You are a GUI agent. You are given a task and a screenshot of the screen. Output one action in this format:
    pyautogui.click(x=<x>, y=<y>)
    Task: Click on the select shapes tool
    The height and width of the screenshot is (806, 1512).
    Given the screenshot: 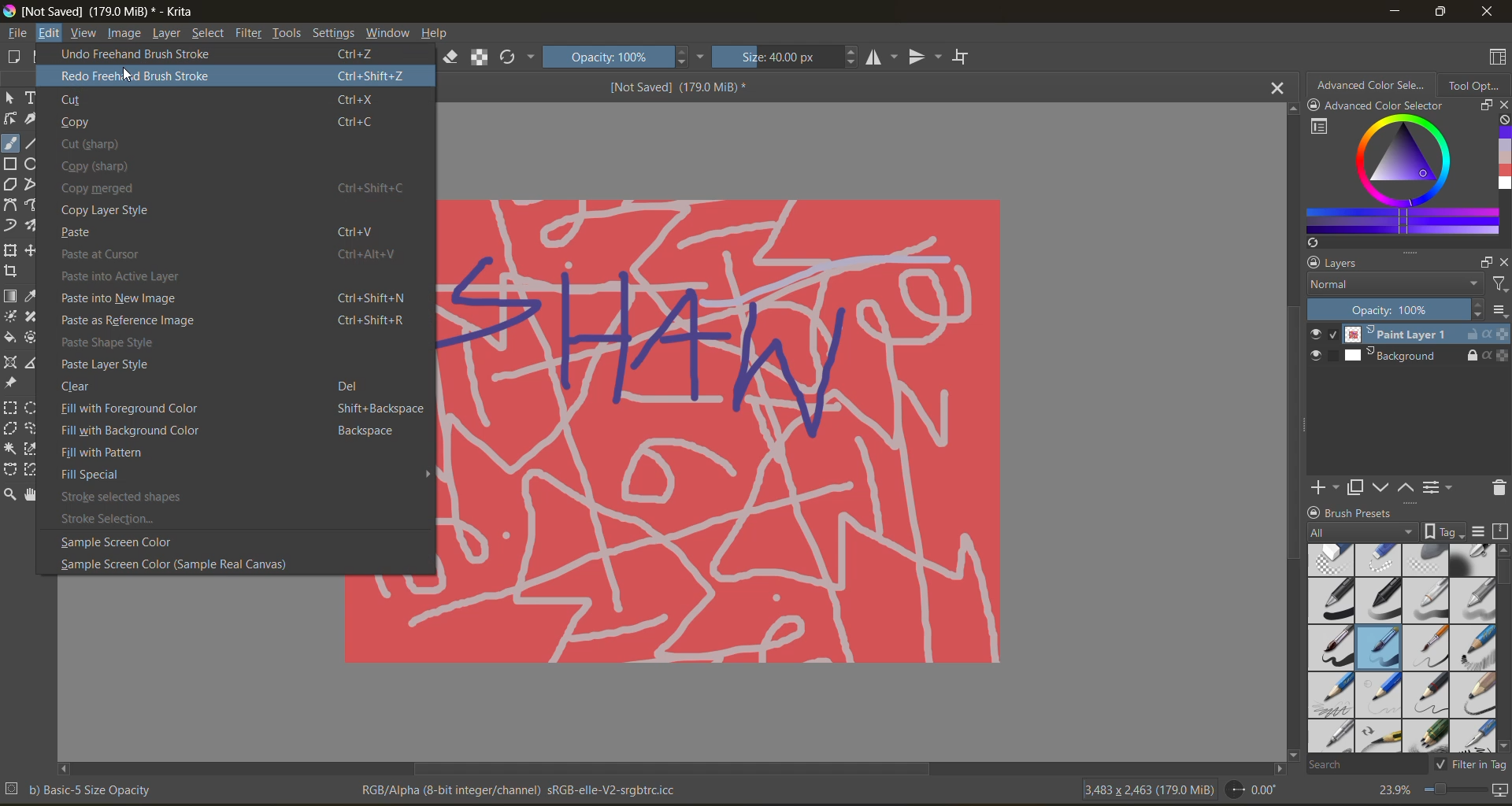 What is the action you would take?
    pyautogui.click(x=10, y=98)
    